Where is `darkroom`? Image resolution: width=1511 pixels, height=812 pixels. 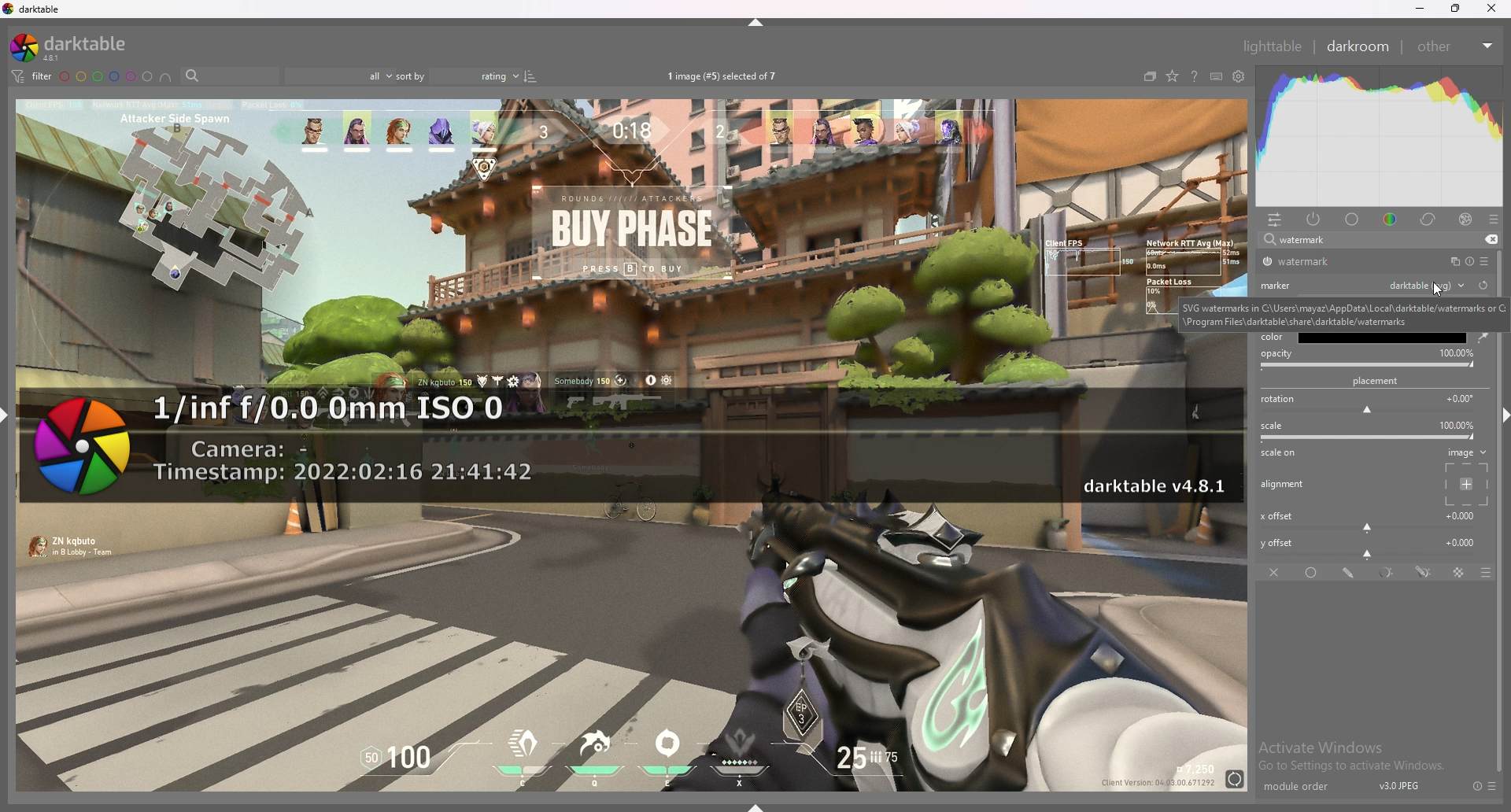 darkroom is located at coordinates (1359, 45).